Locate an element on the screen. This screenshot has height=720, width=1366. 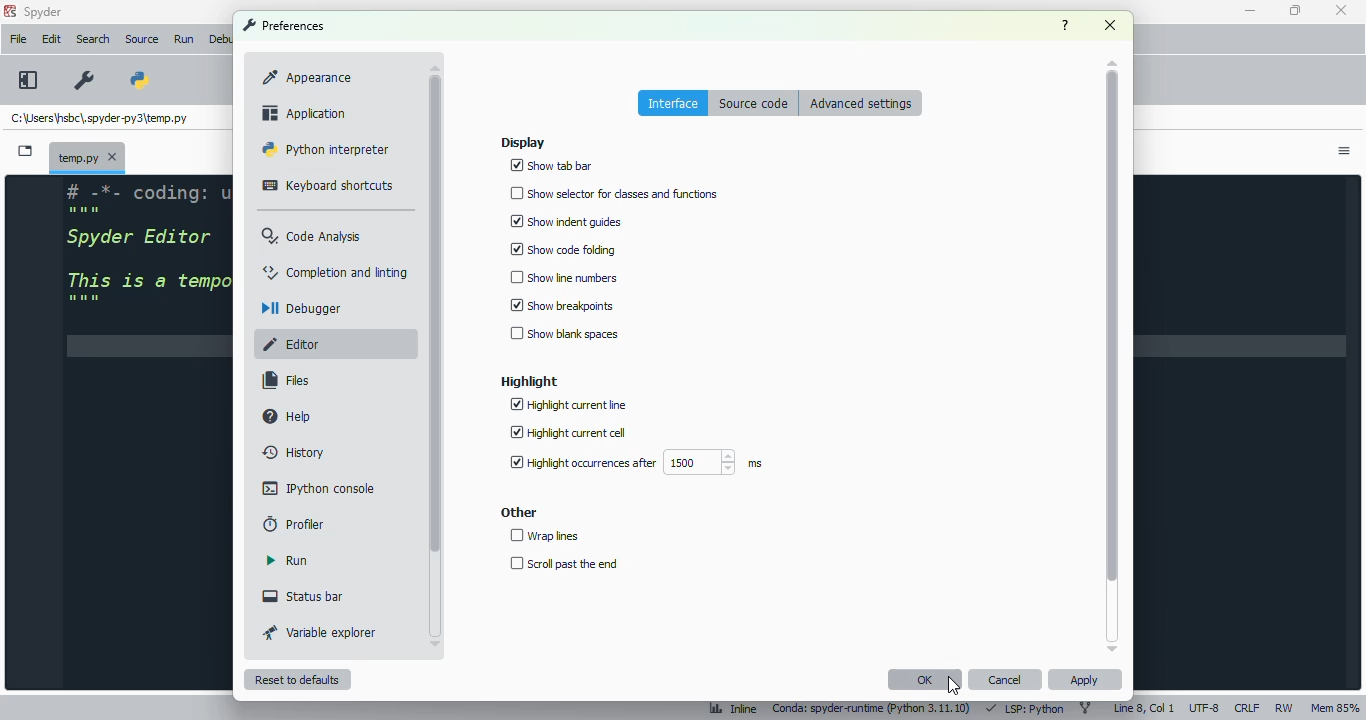
interface  is located at coordinates (673, 102).